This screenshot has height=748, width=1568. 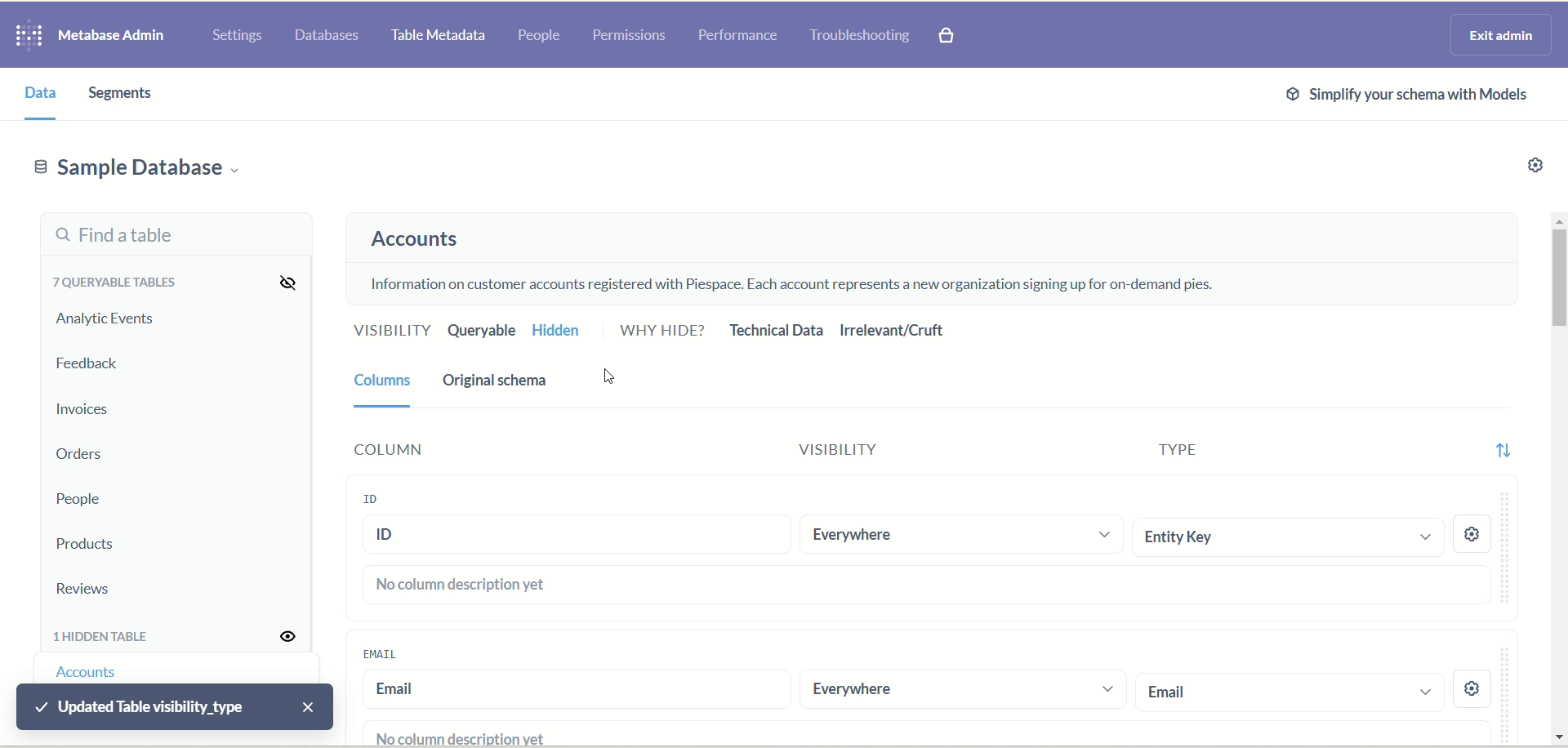 I want to click on sort, so click(x=1496, y=456).